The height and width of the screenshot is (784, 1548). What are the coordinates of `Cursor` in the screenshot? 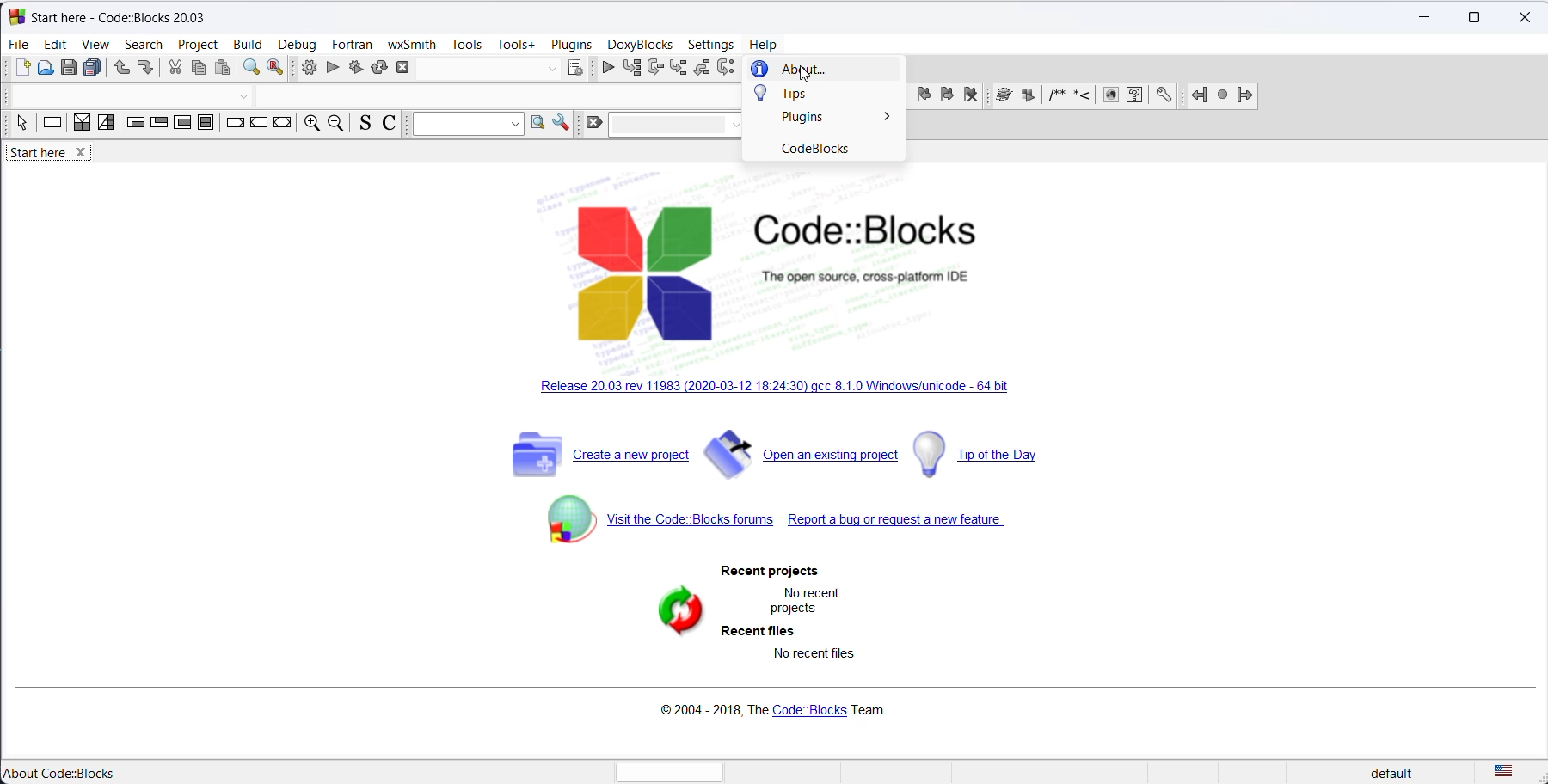 It's located at (801, 76).